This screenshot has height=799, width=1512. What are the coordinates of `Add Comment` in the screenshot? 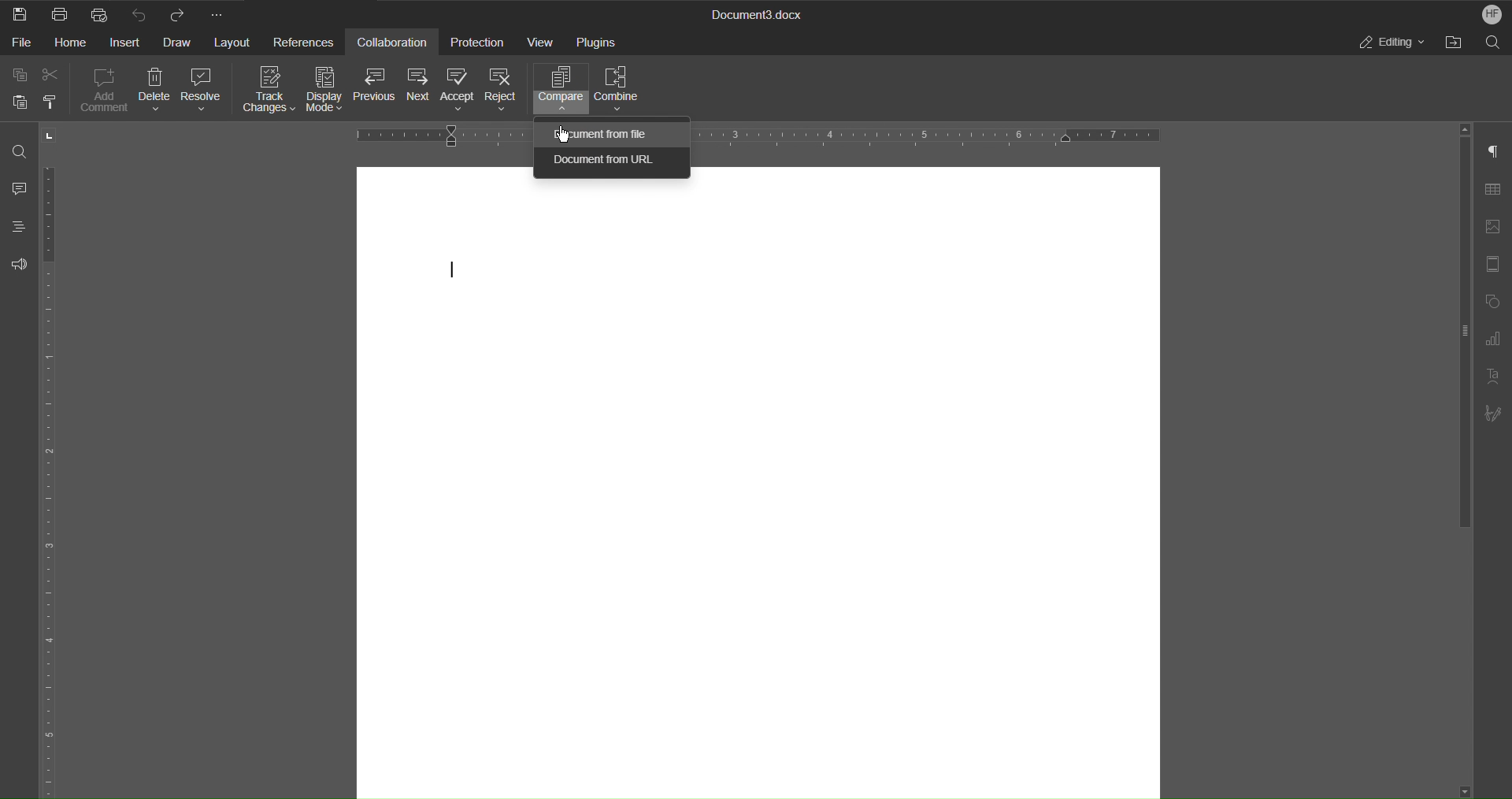 It's located at (104, 88).